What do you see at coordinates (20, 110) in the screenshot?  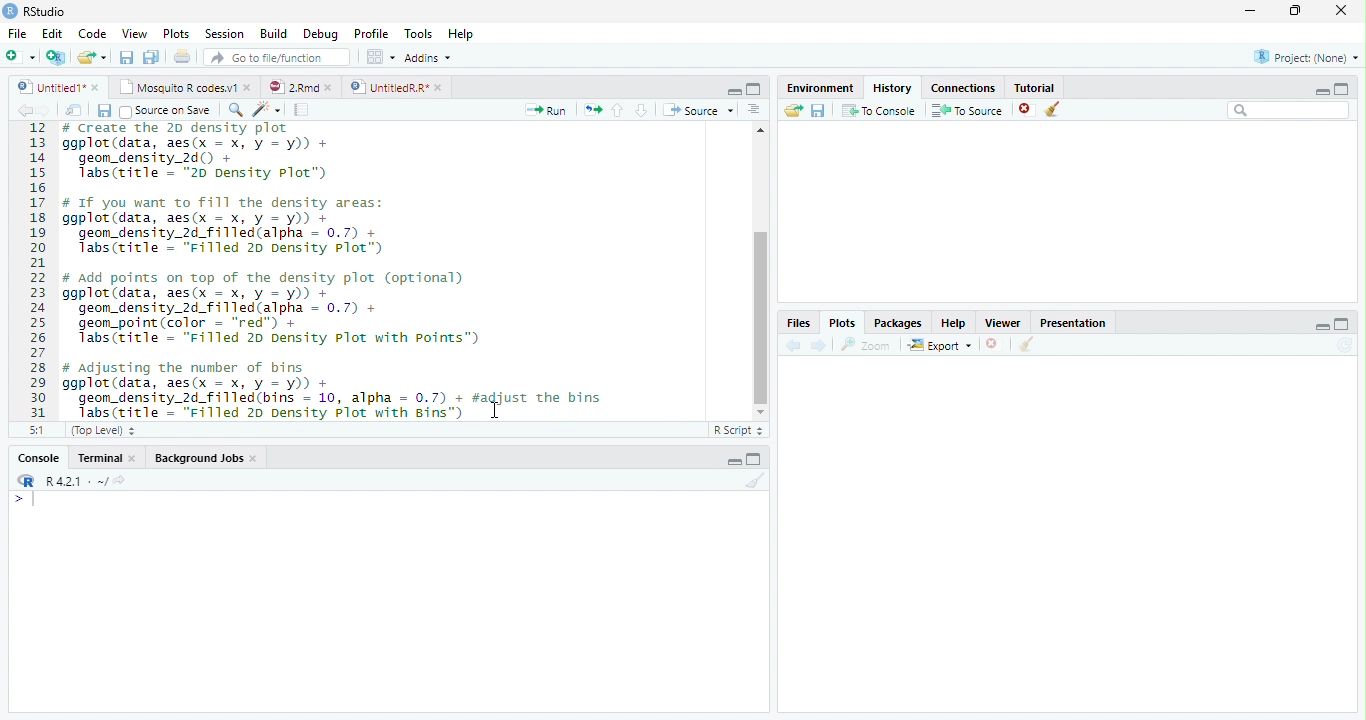 I see `back` at bounding box center [20, 110].